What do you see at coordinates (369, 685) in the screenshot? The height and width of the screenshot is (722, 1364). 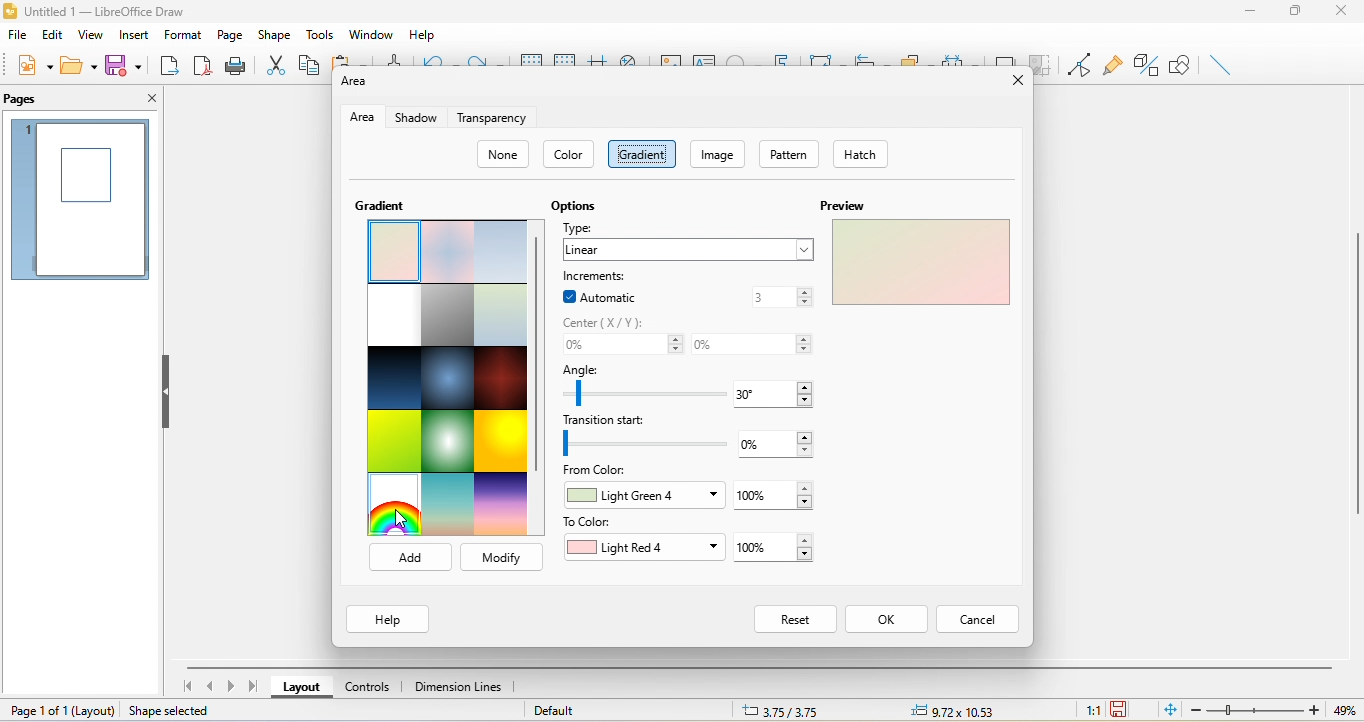 I see `controls` at bounding box center [369, 685].